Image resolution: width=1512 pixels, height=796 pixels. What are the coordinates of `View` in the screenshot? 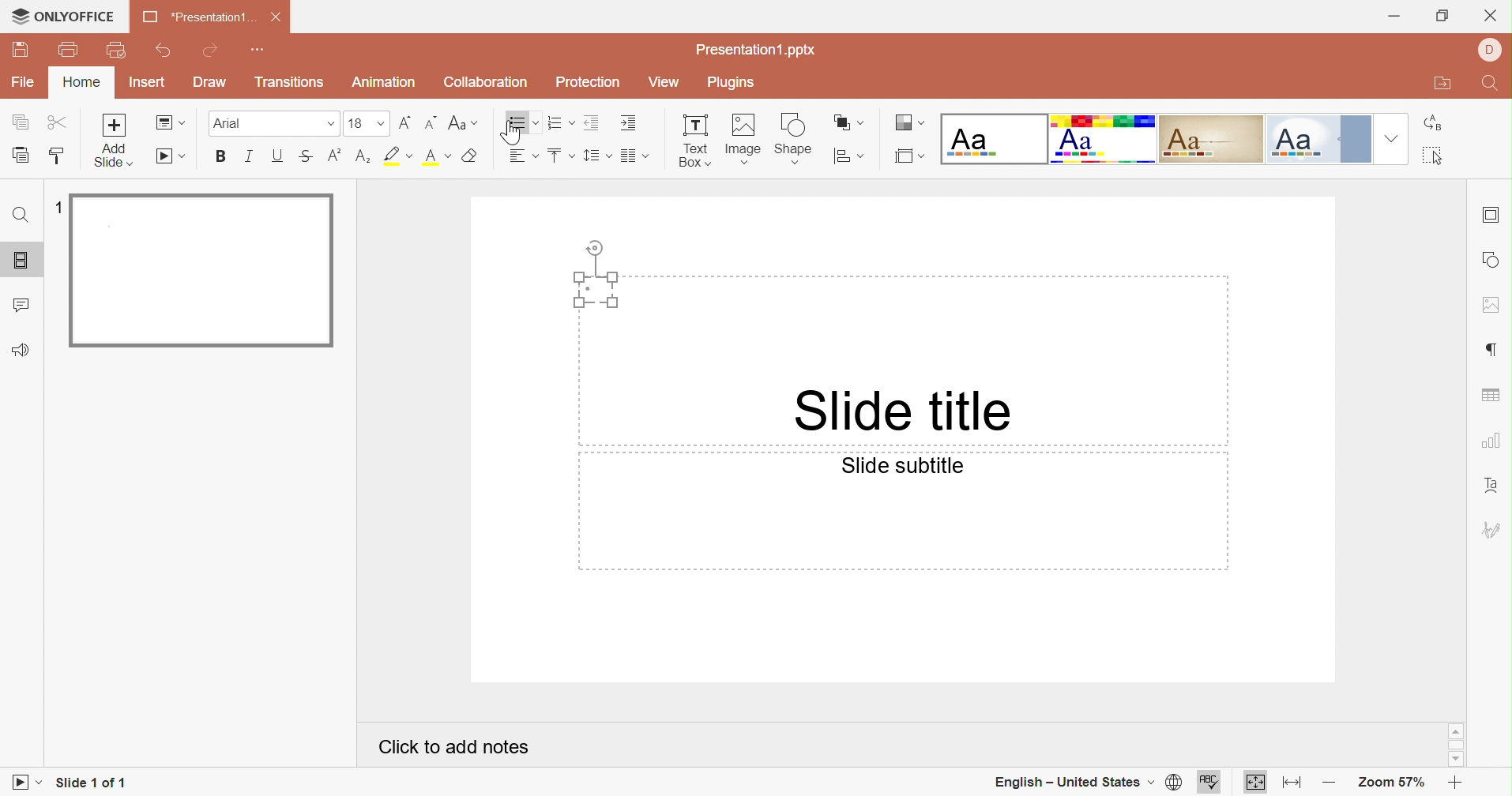 It's located at (662, 80).